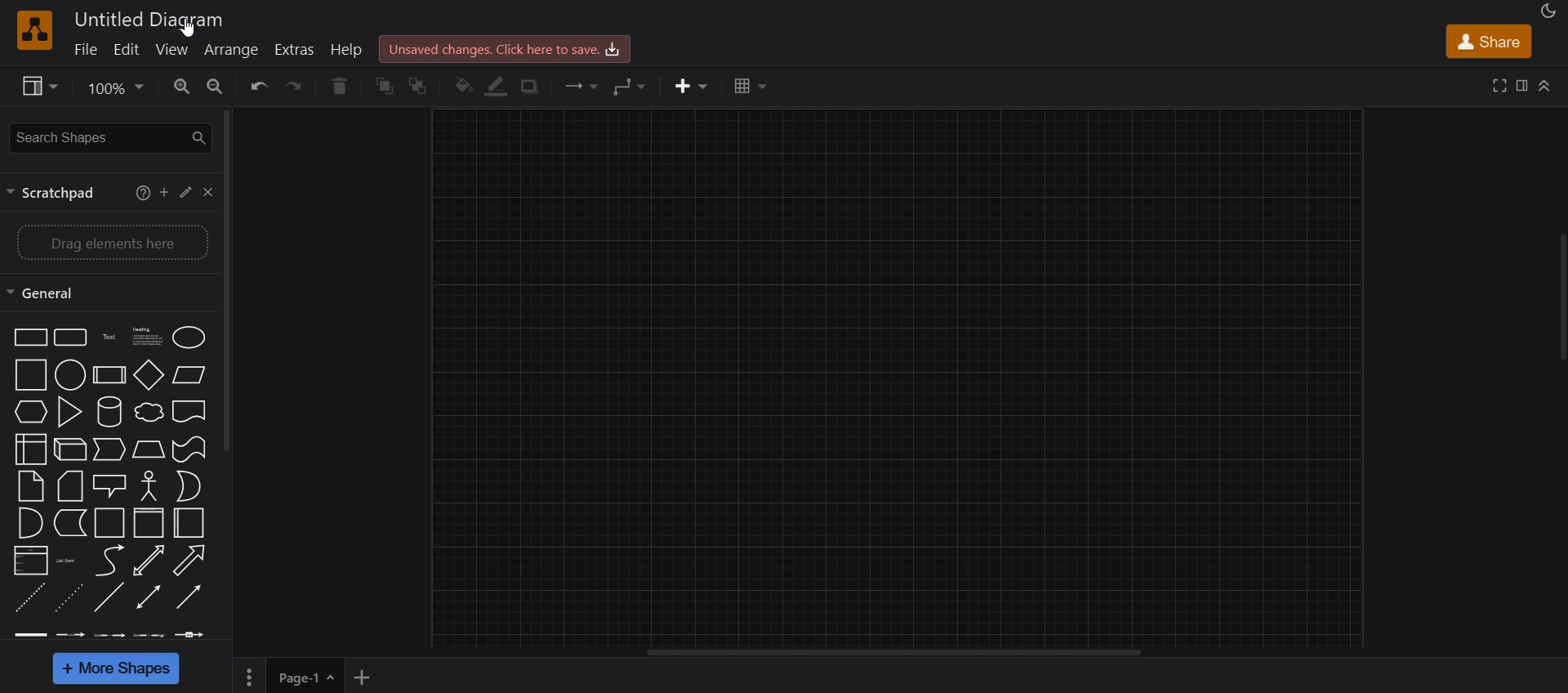  I want to click on fill, so click(462, 86).